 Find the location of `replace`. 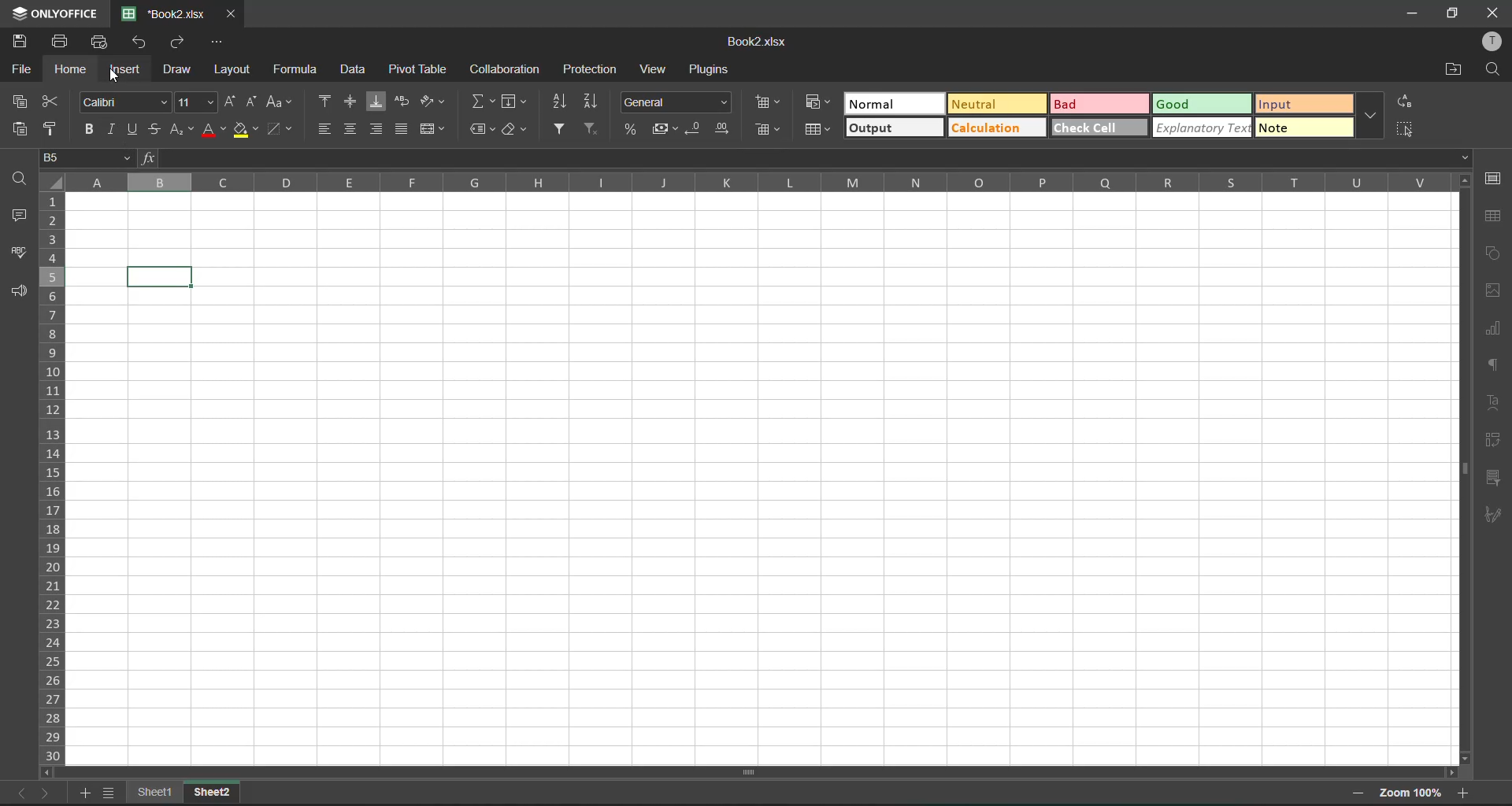

replace is located at coordinates (1404, 102).